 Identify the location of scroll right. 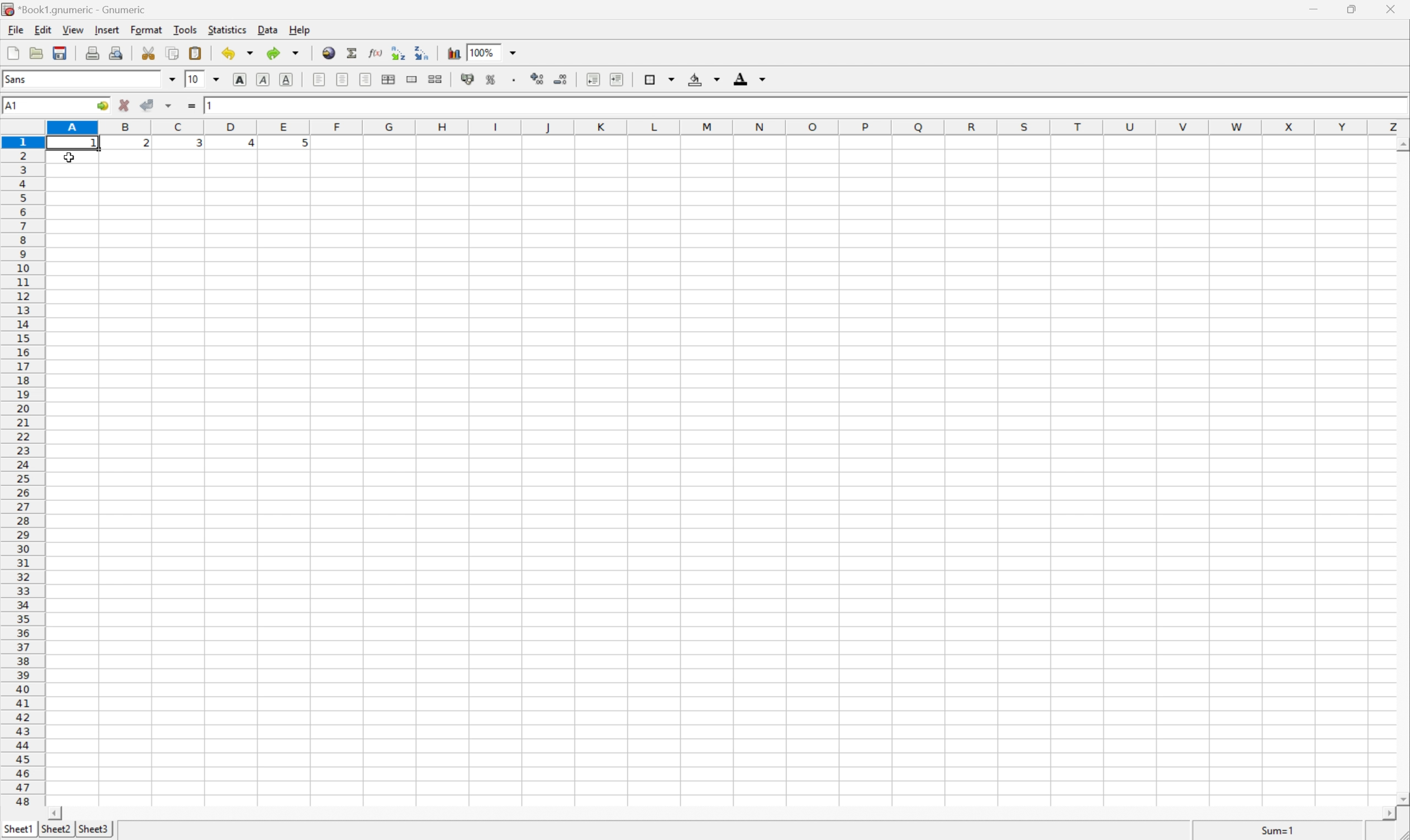
(1390, 815).